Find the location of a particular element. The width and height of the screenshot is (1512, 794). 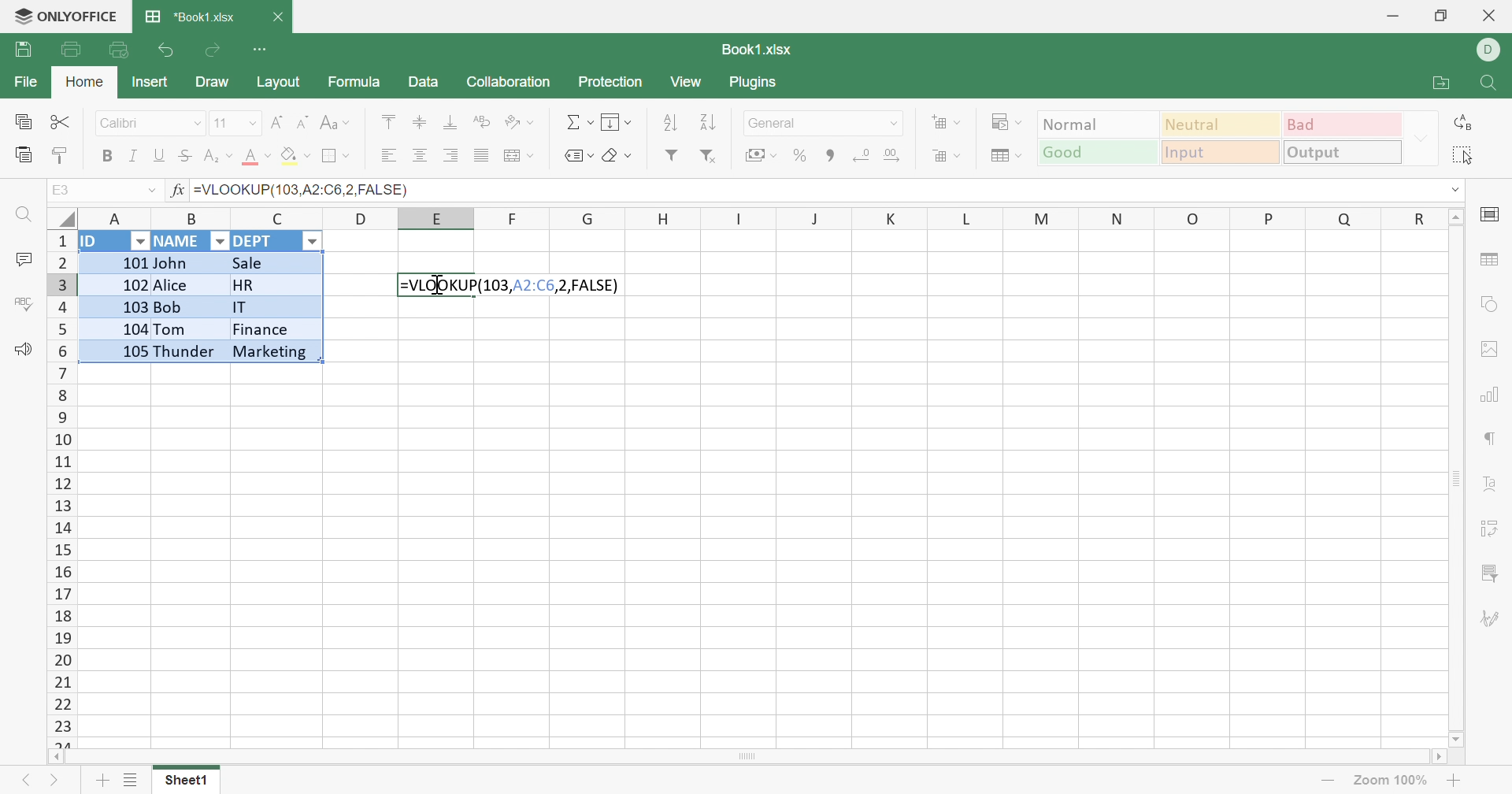

Wrap Text is located at coordinates (484, 121).